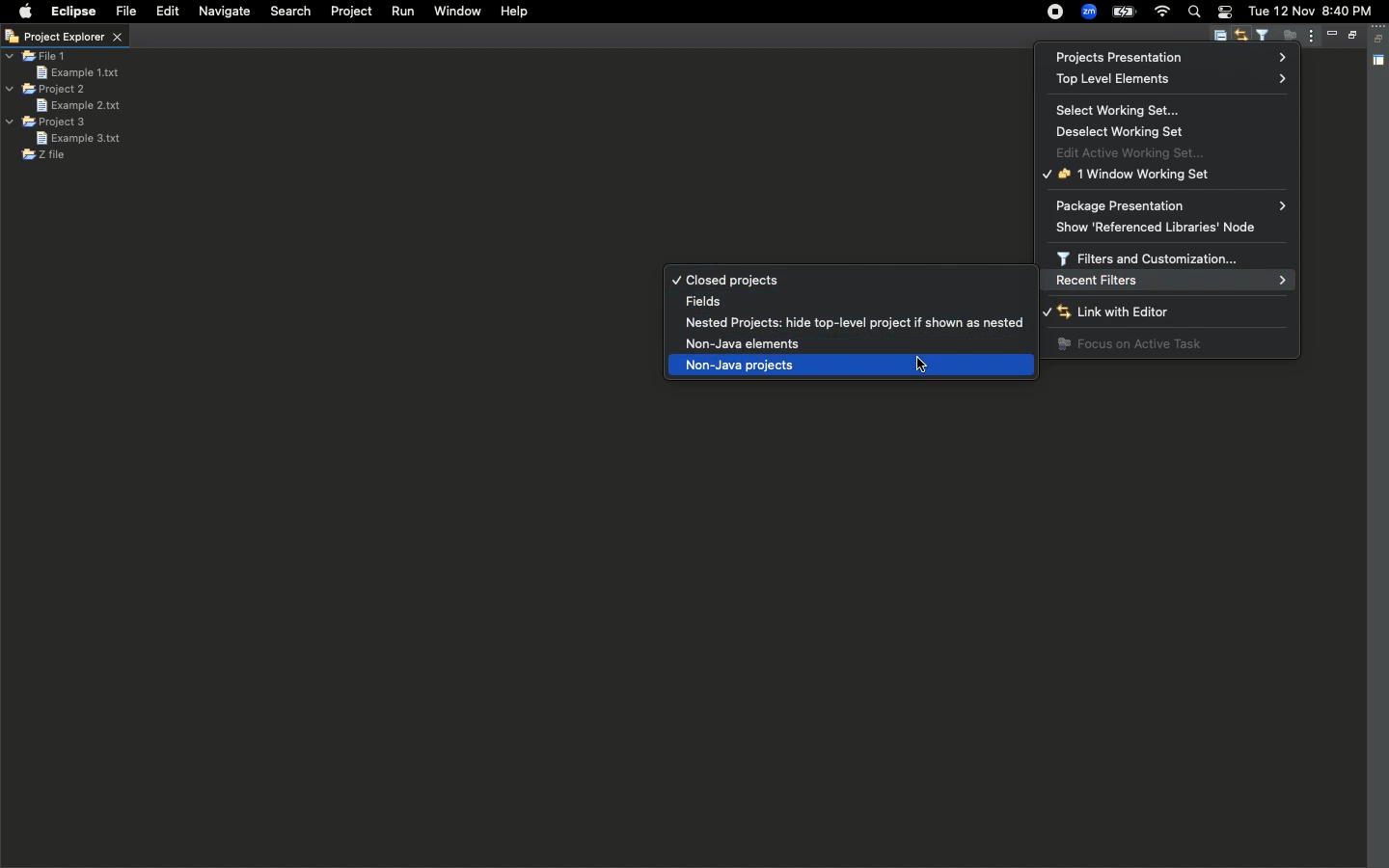  I want to click on cursor selecting non-java projects, so click(912, 366).